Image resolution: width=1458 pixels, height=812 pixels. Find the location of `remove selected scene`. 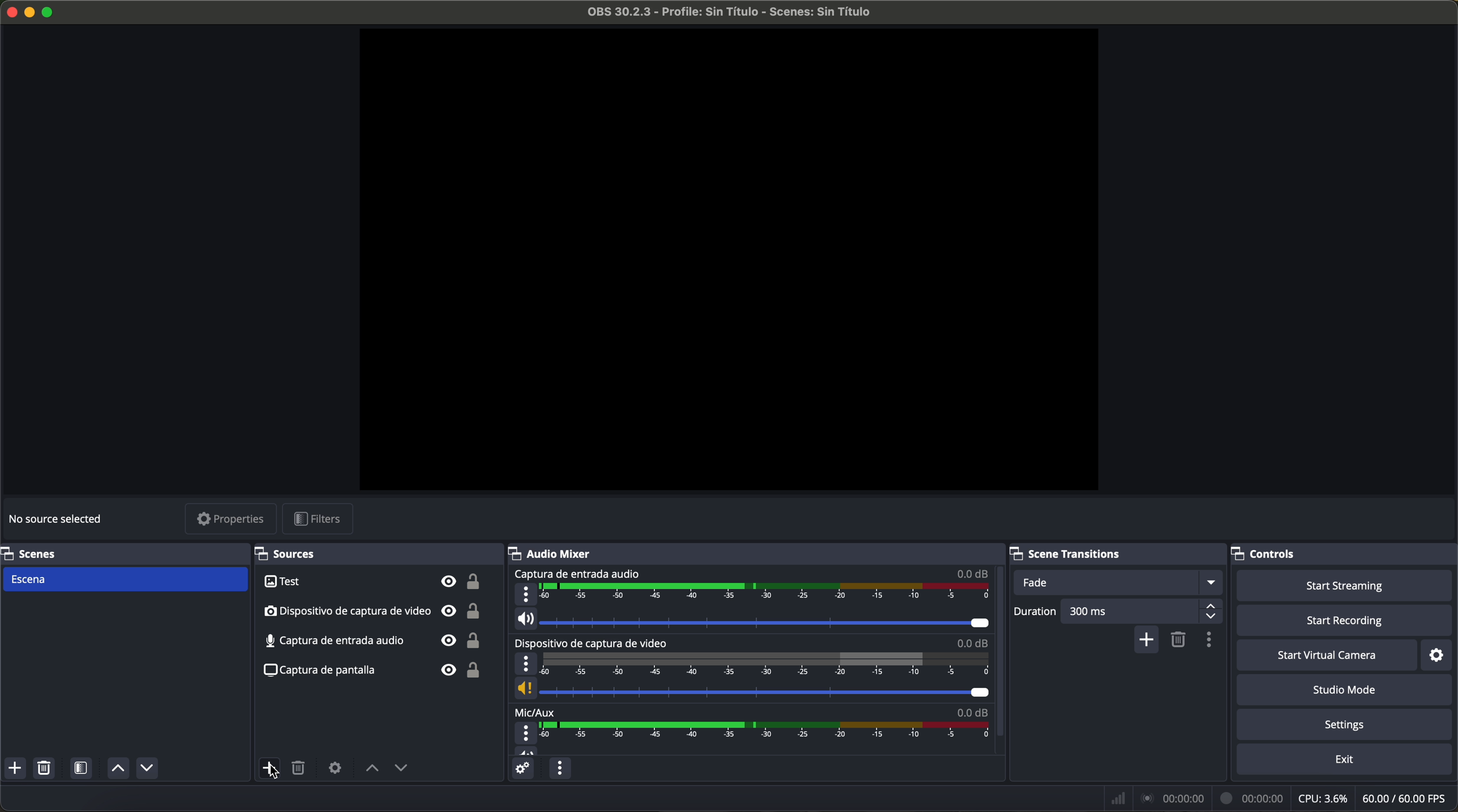

remove selected scene is located at coordinates (1179, 641).